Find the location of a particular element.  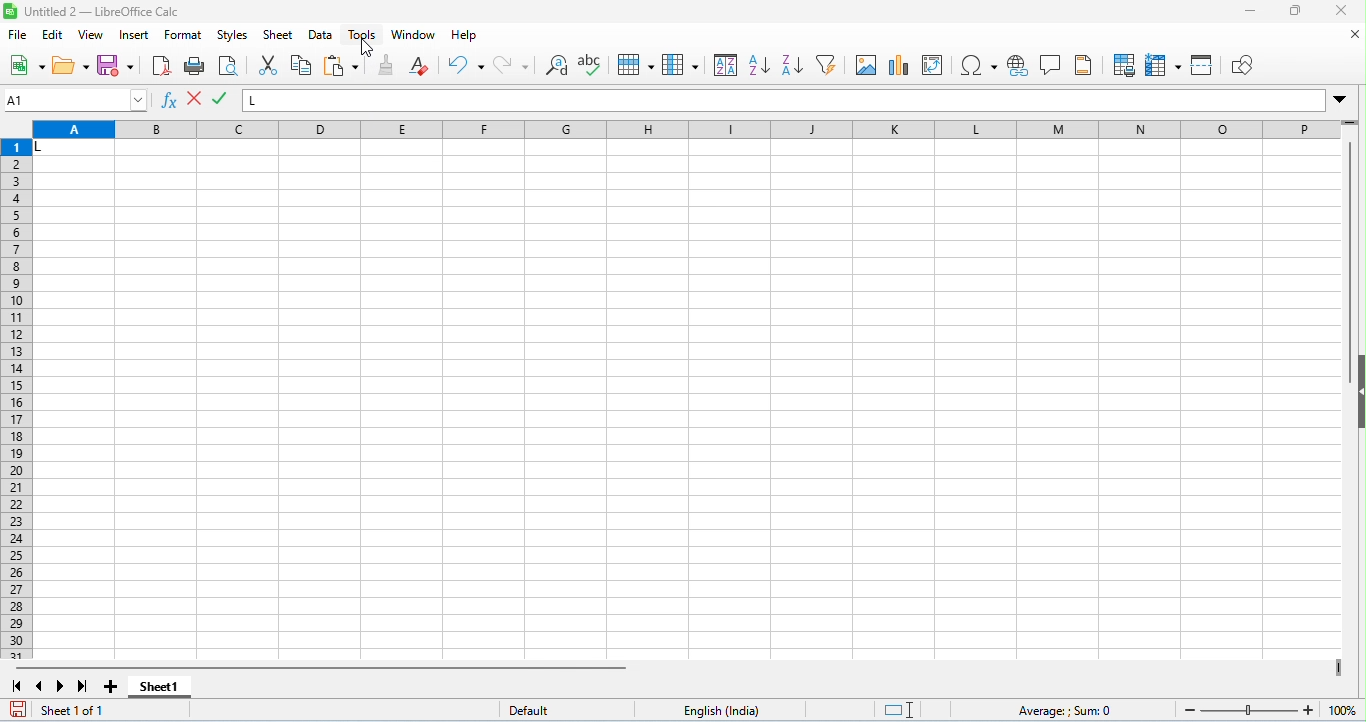

undo  is located at coordinates (466, 65).